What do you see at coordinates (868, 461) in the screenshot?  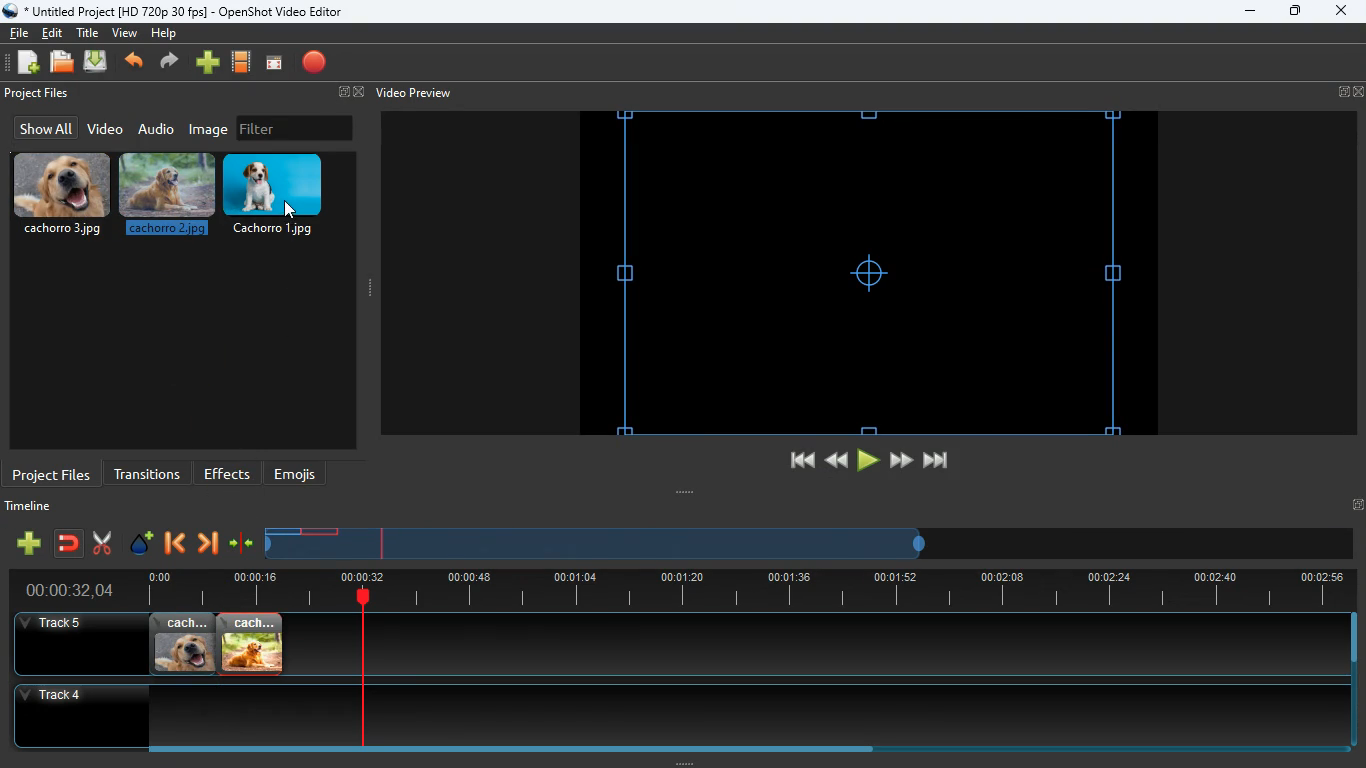 I see `play` at bounding box center [868, 461].